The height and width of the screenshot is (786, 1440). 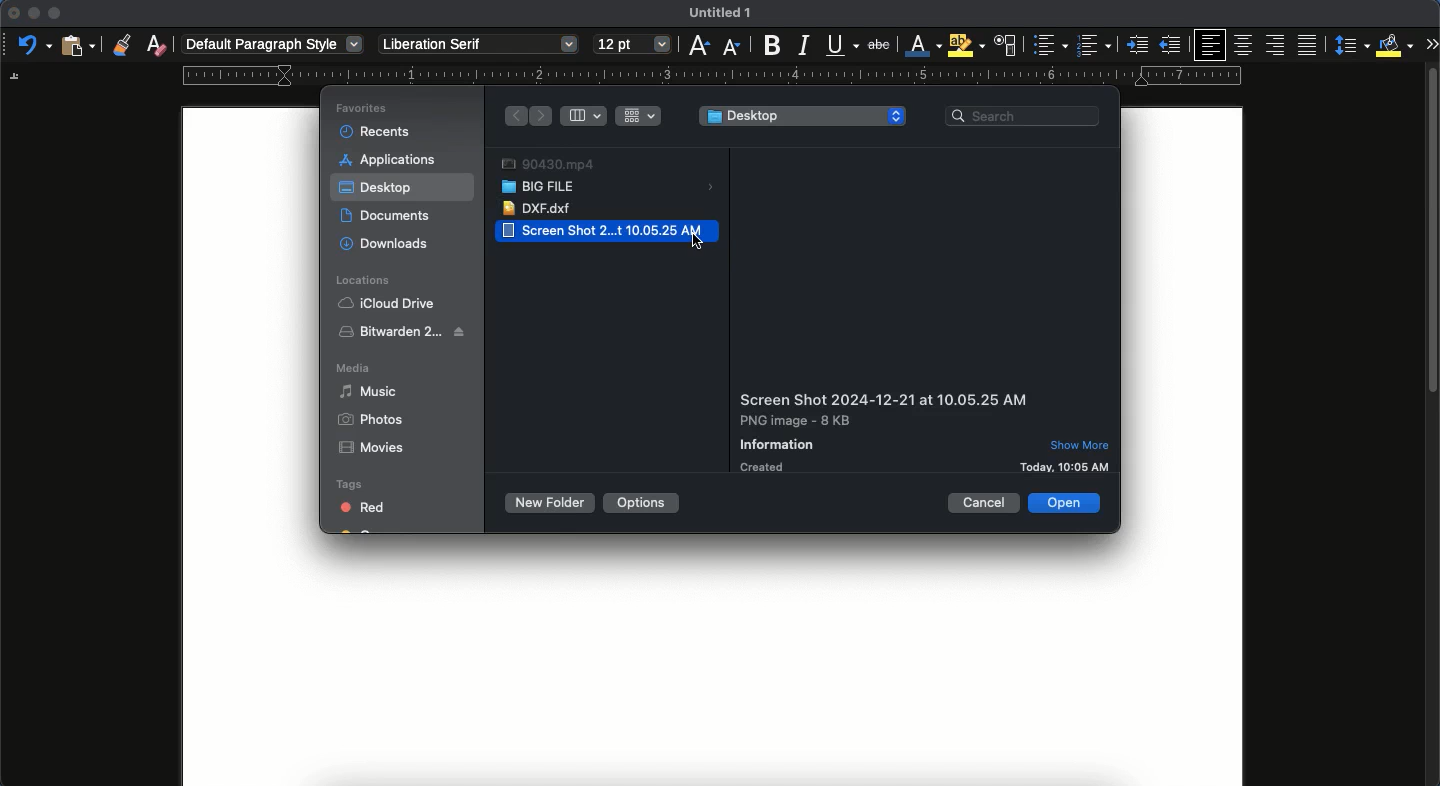 I want to click on Screen Shot 2...t 10.05.25 AM image, so click(x=592, y=231).